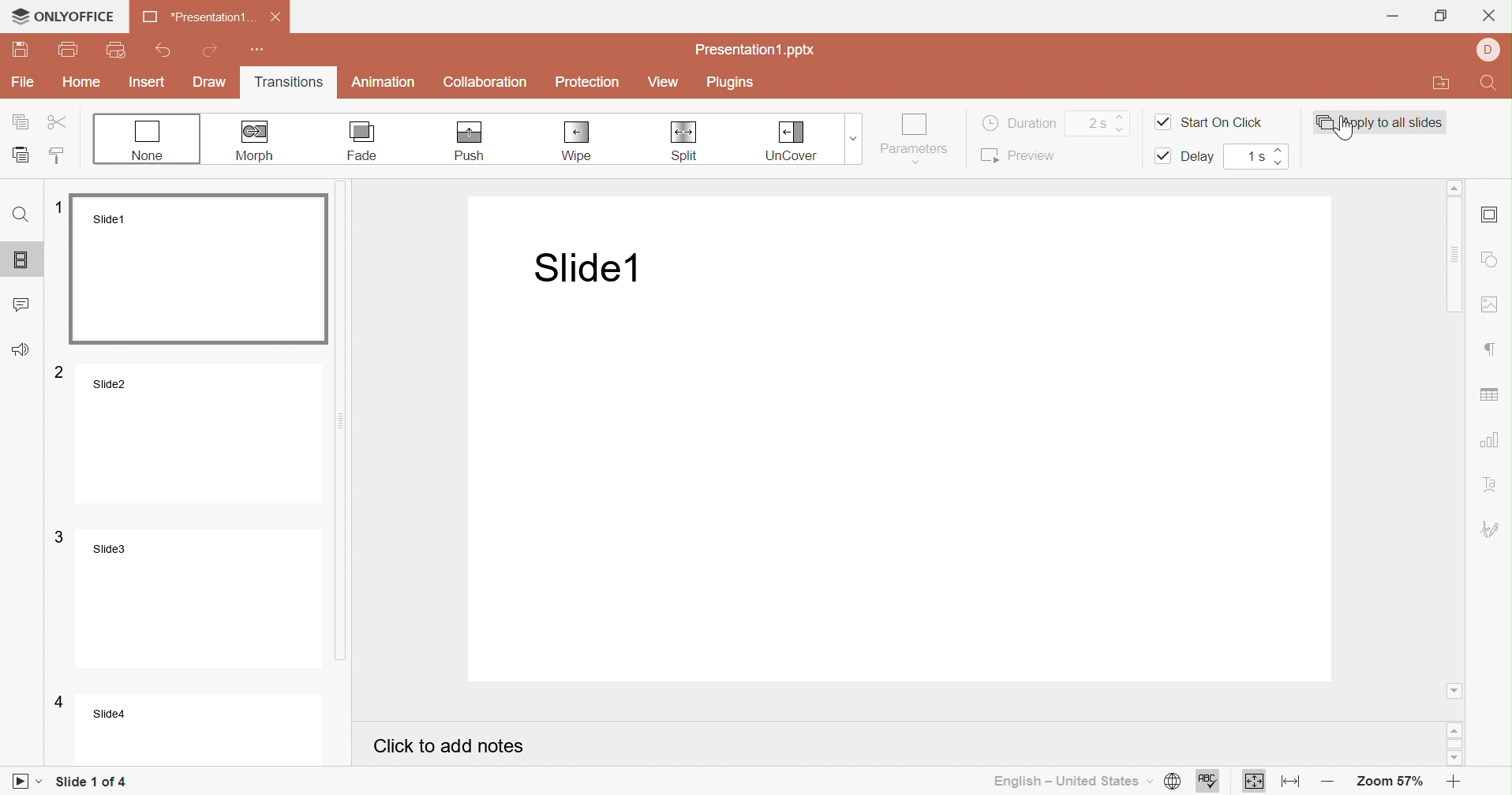 Image resolution: width=1512 pixels, height=795 pixels. I want to click on Print file, so click(68, 50).